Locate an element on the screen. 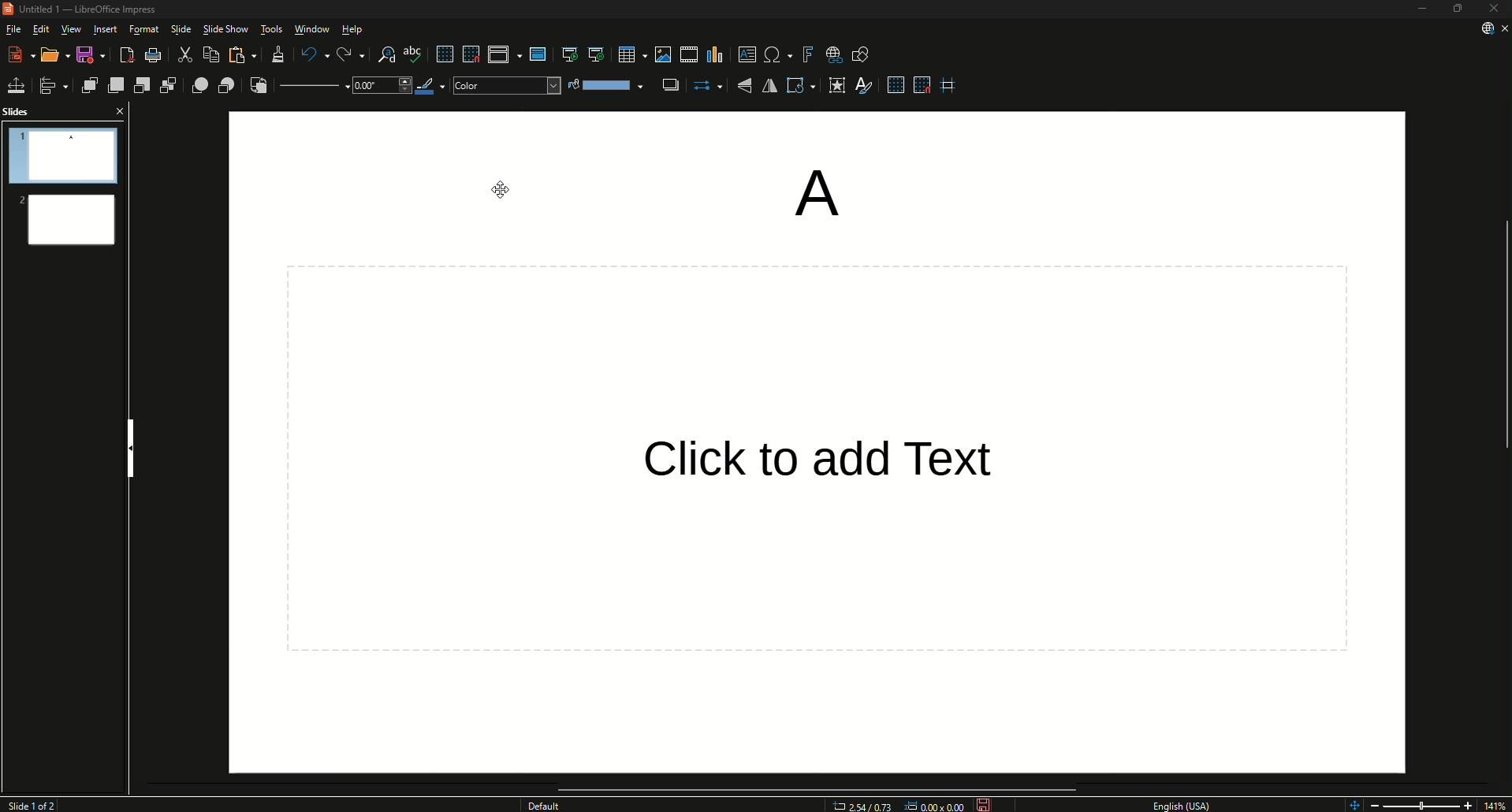  Paste is located at coordinates (240, 57).